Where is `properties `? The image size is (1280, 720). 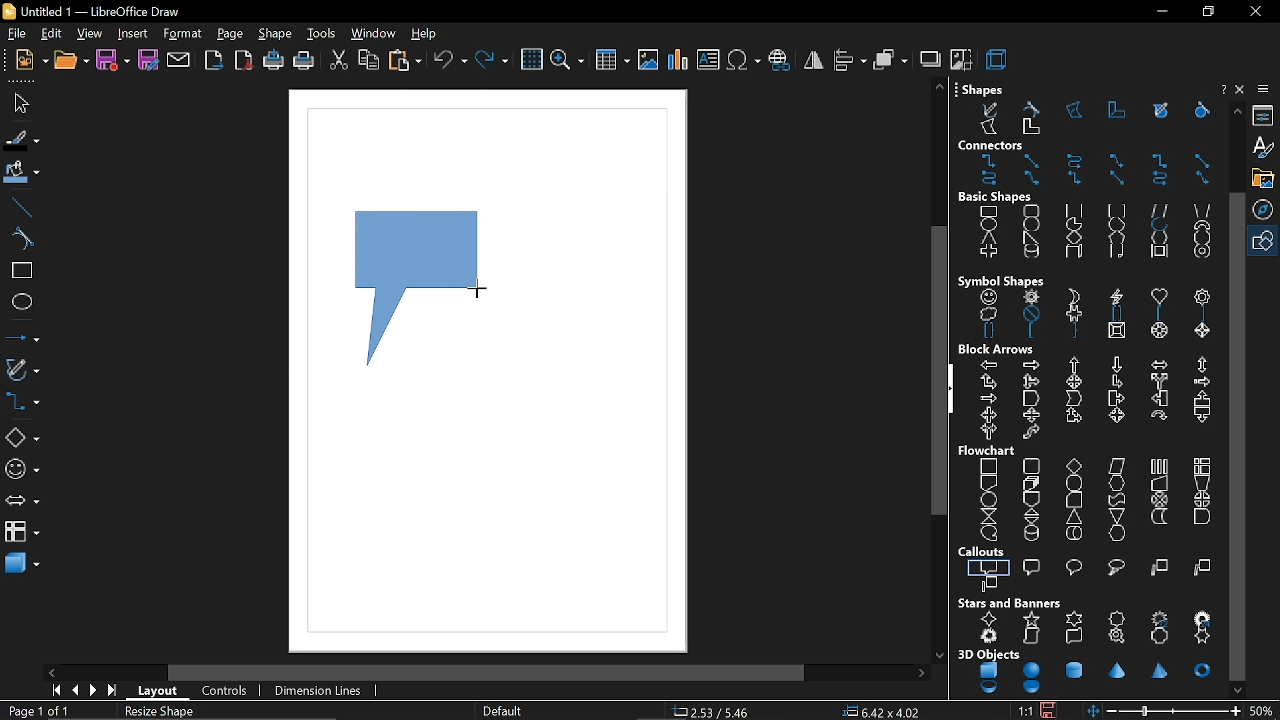 properties  is located at coordinates (1265, 117).